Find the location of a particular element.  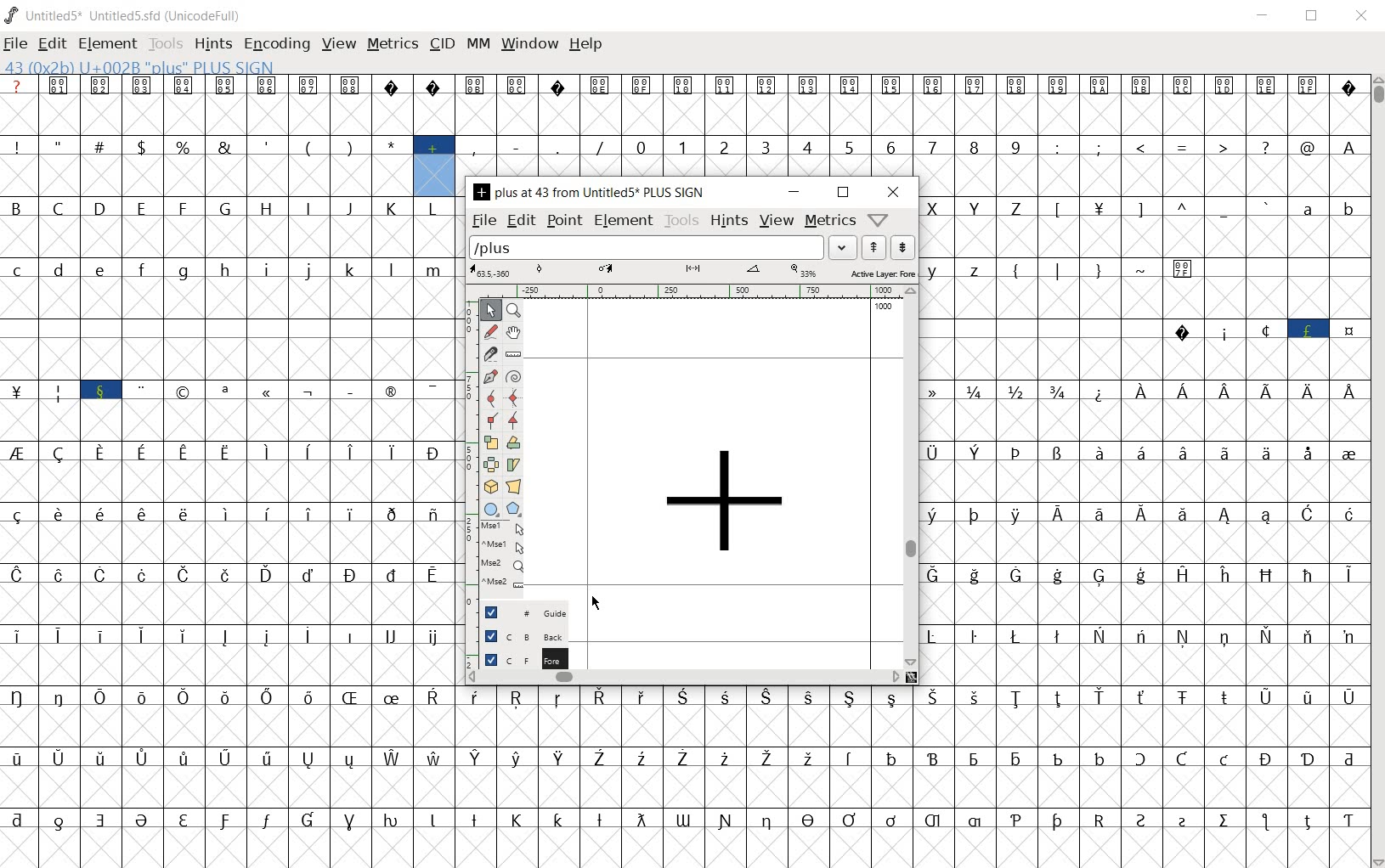

add a curve point is located at coordinates (491, 397).